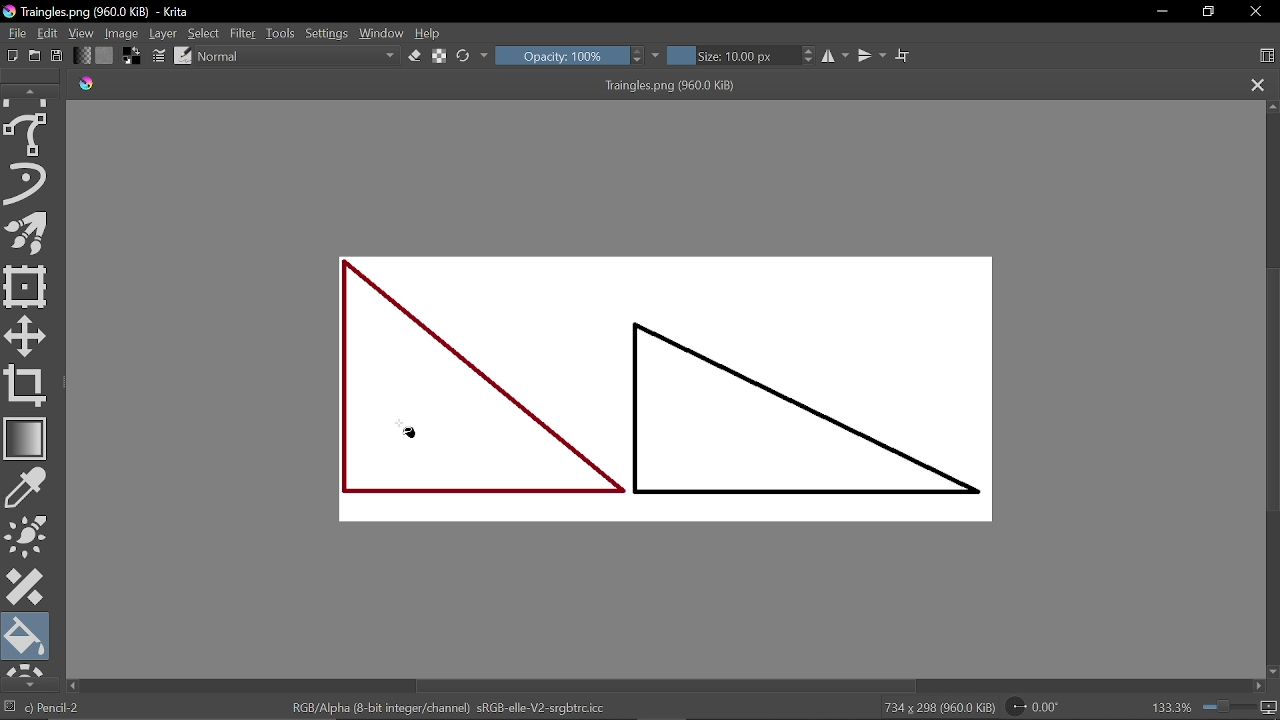 Image resolution: width=1280 pixels, height=720 pixels. I want to click on Save, so click(57, 56).